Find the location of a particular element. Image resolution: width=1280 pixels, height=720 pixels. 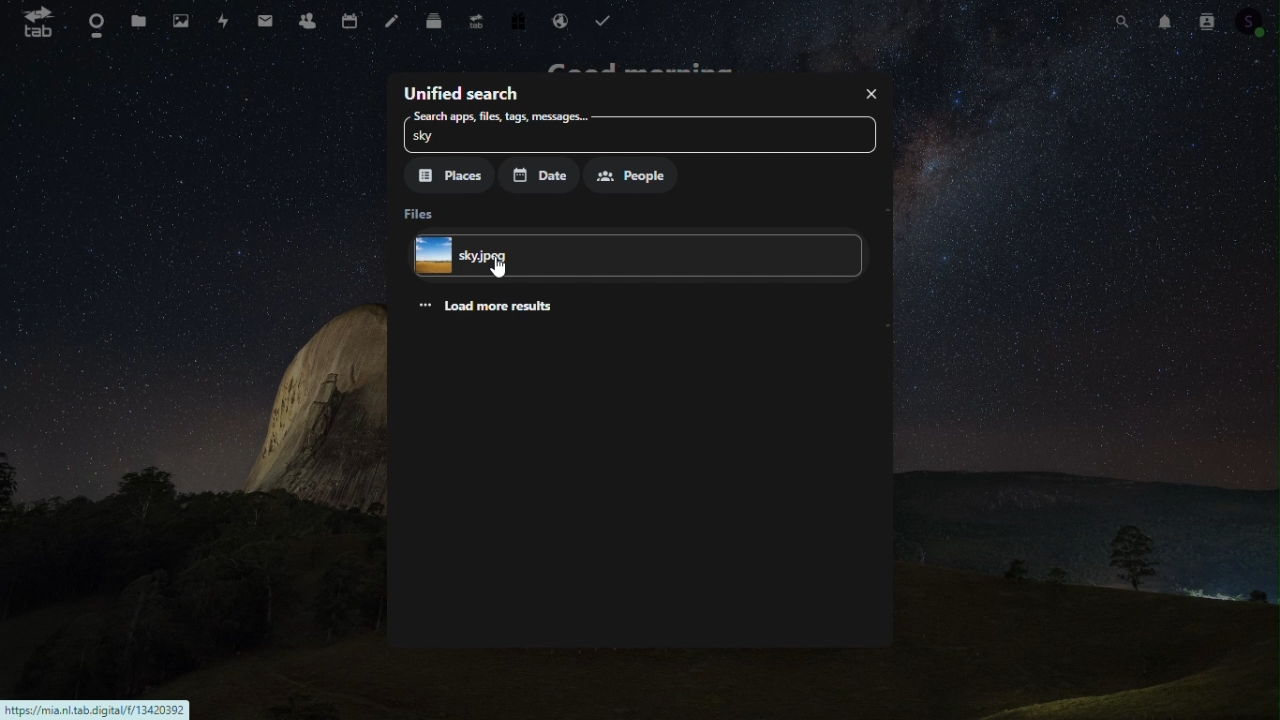

Contacts is located at coordinates (308, 17).